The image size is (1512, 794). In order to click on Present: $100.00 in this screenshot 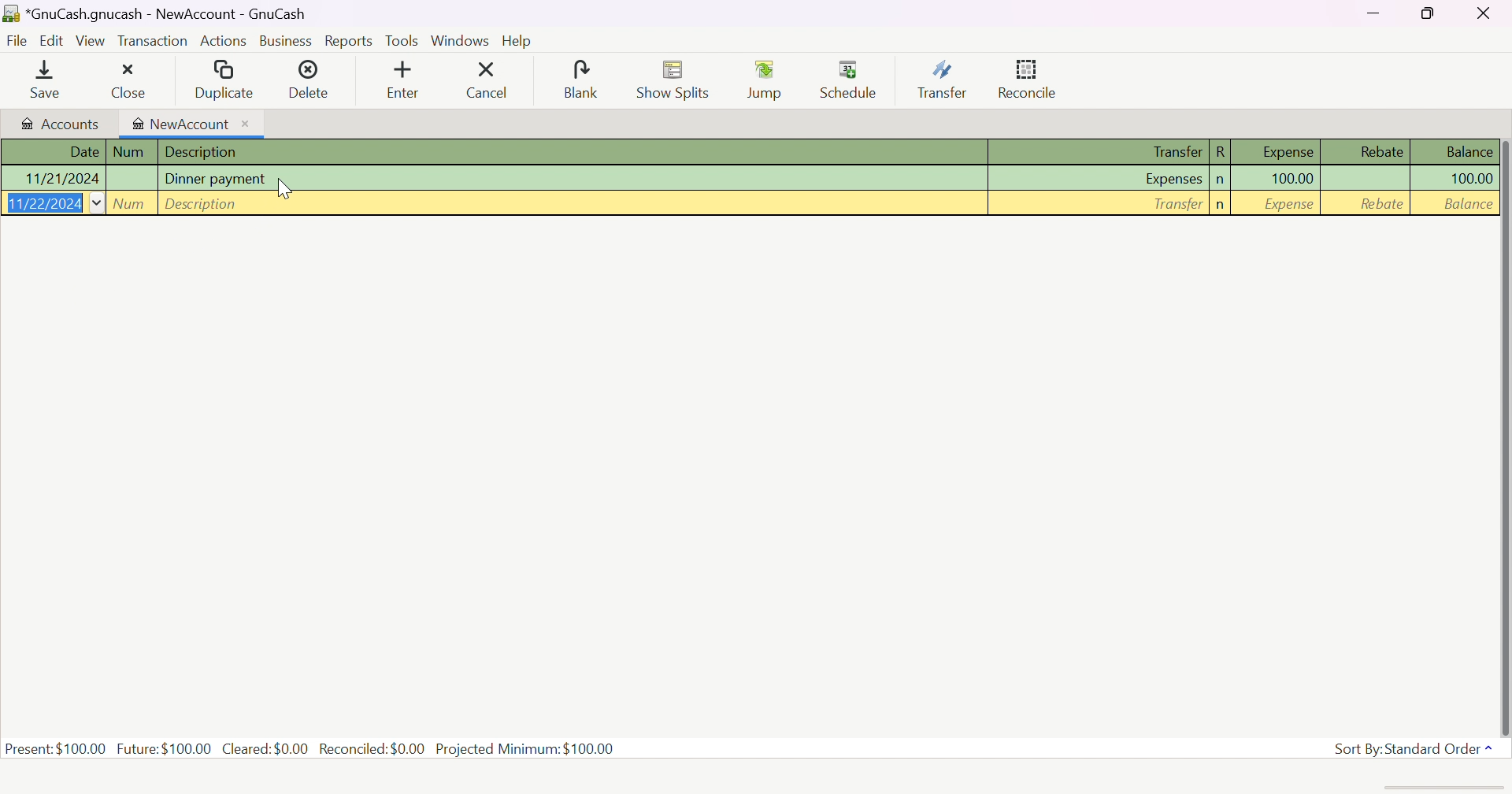, I will do `click(56, 748)`.